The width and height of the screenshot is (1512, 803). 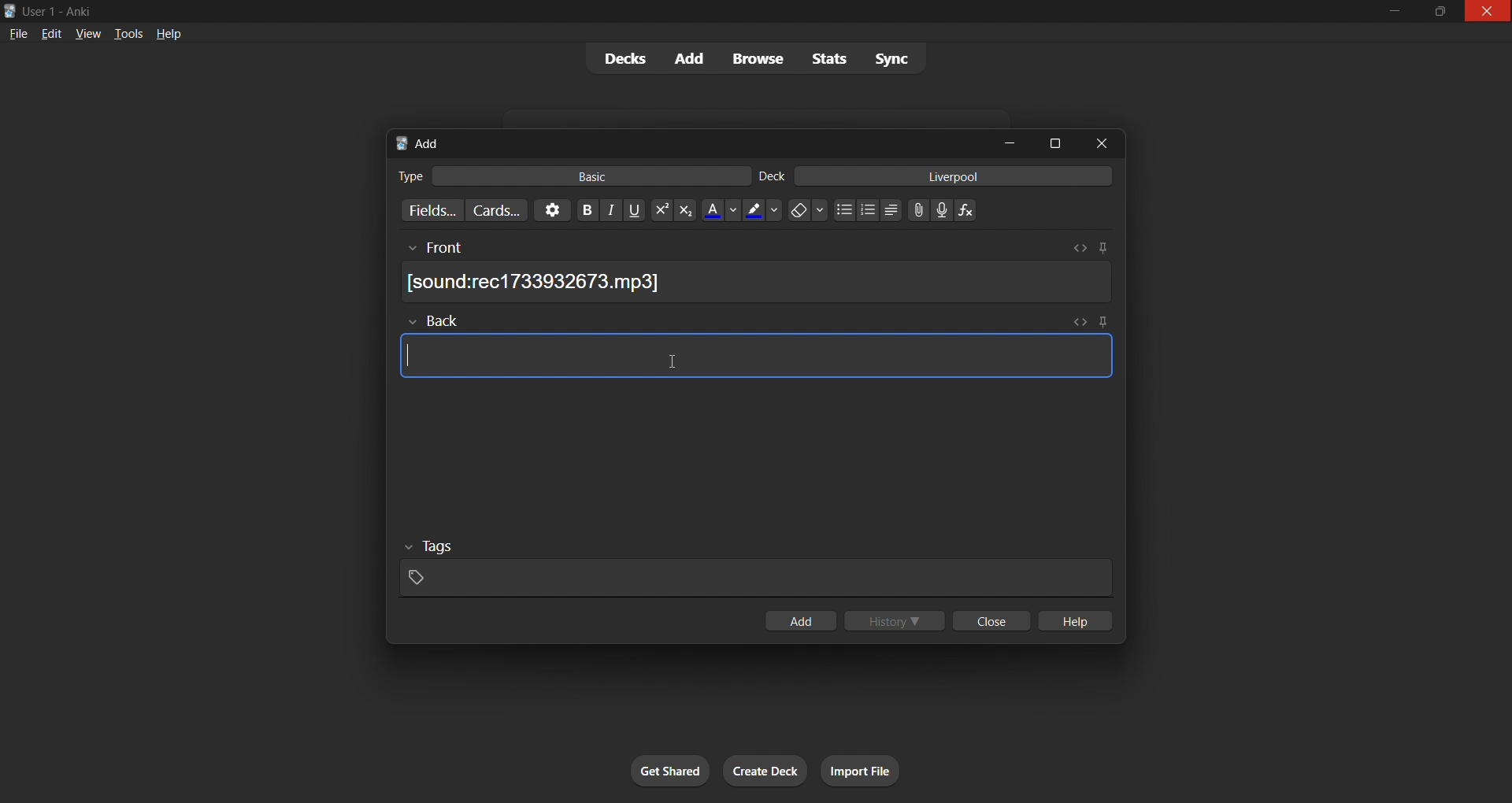 I want to click on bold, so click(x=581, y=210).